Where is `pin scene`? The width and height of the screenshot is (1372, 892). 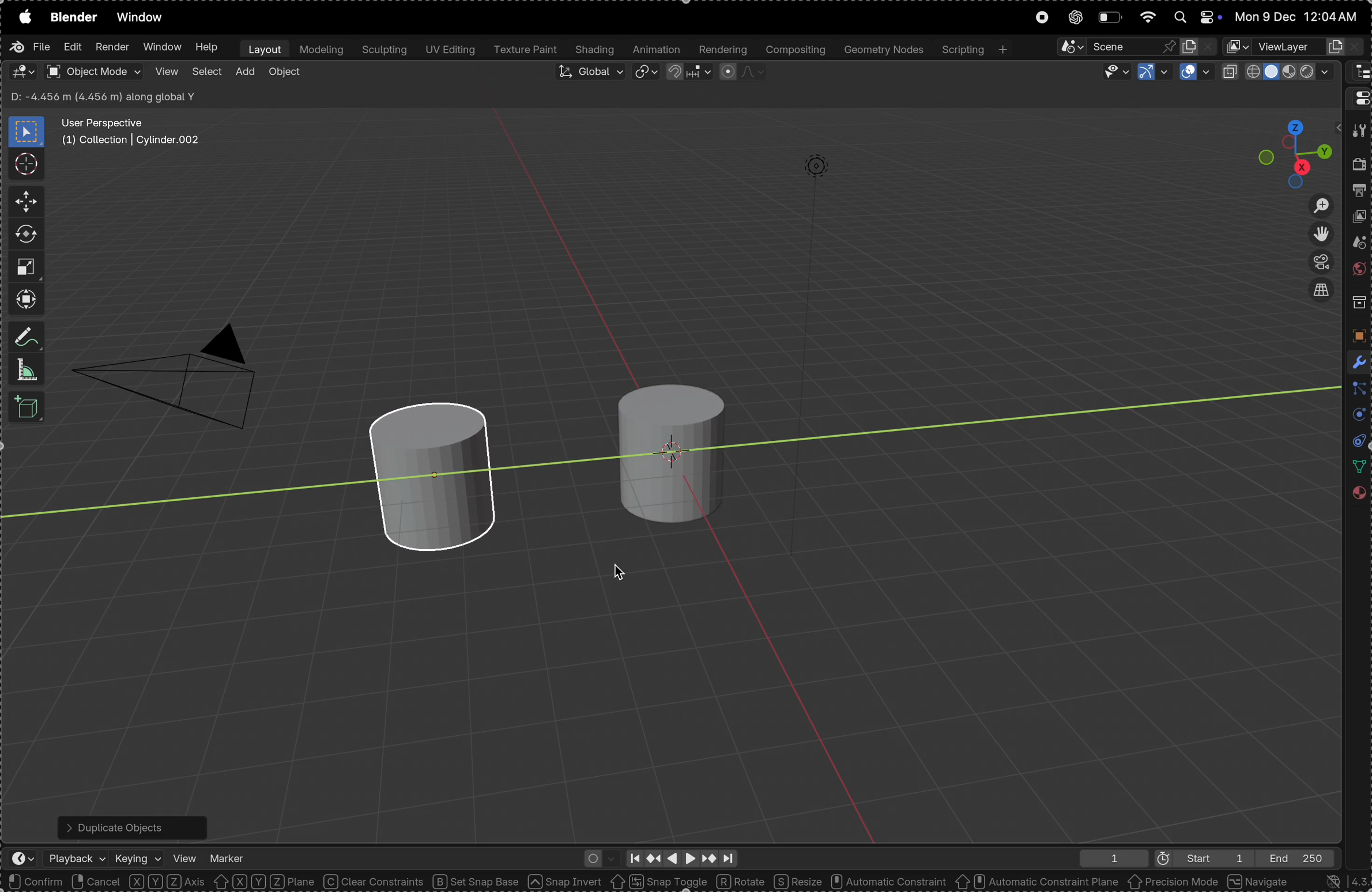 pin scene is located at coordinates (1113, 46).